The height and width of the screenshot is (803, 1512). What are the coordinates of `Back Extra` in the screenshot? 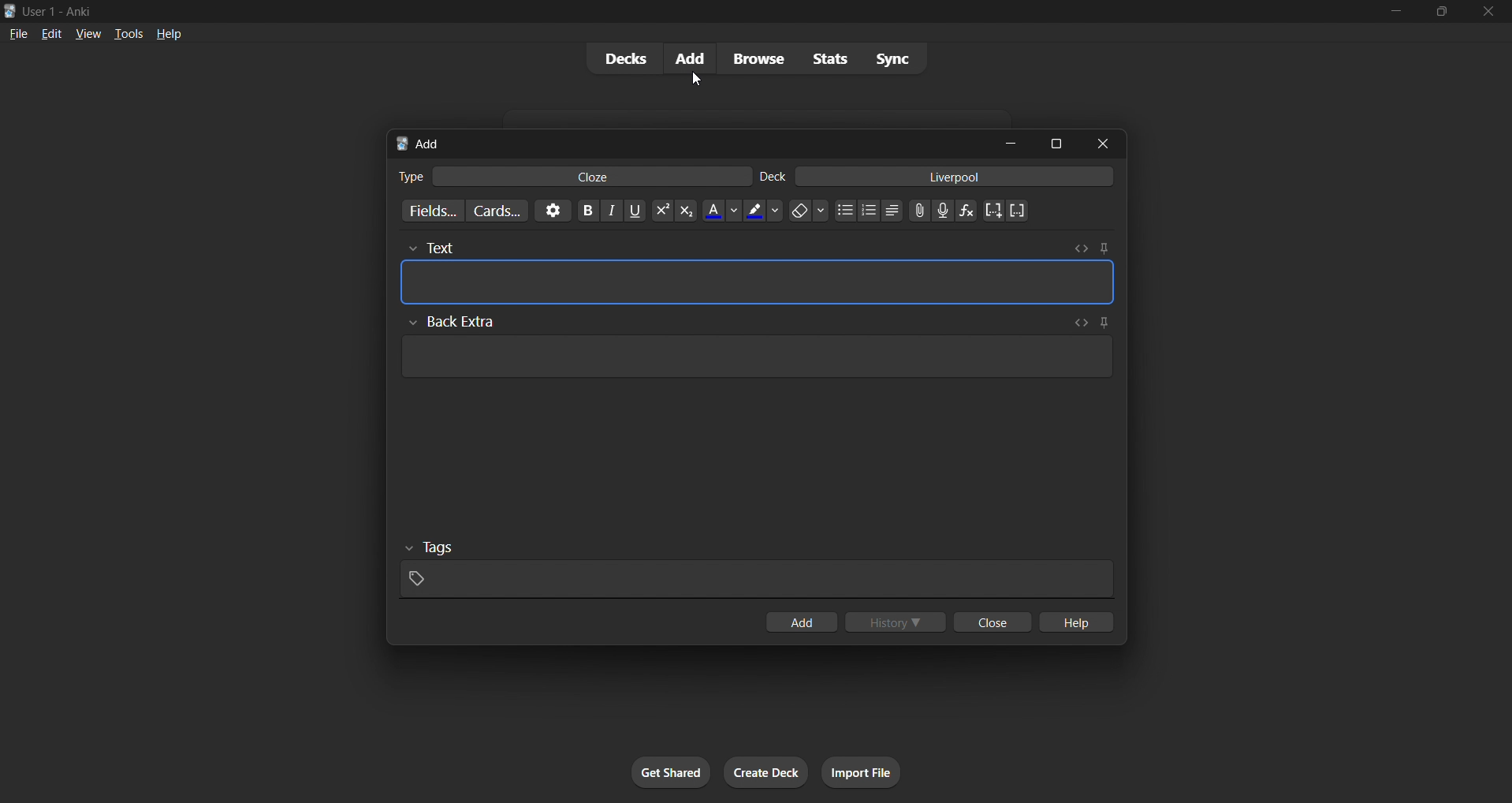 It's located at (460, 321).